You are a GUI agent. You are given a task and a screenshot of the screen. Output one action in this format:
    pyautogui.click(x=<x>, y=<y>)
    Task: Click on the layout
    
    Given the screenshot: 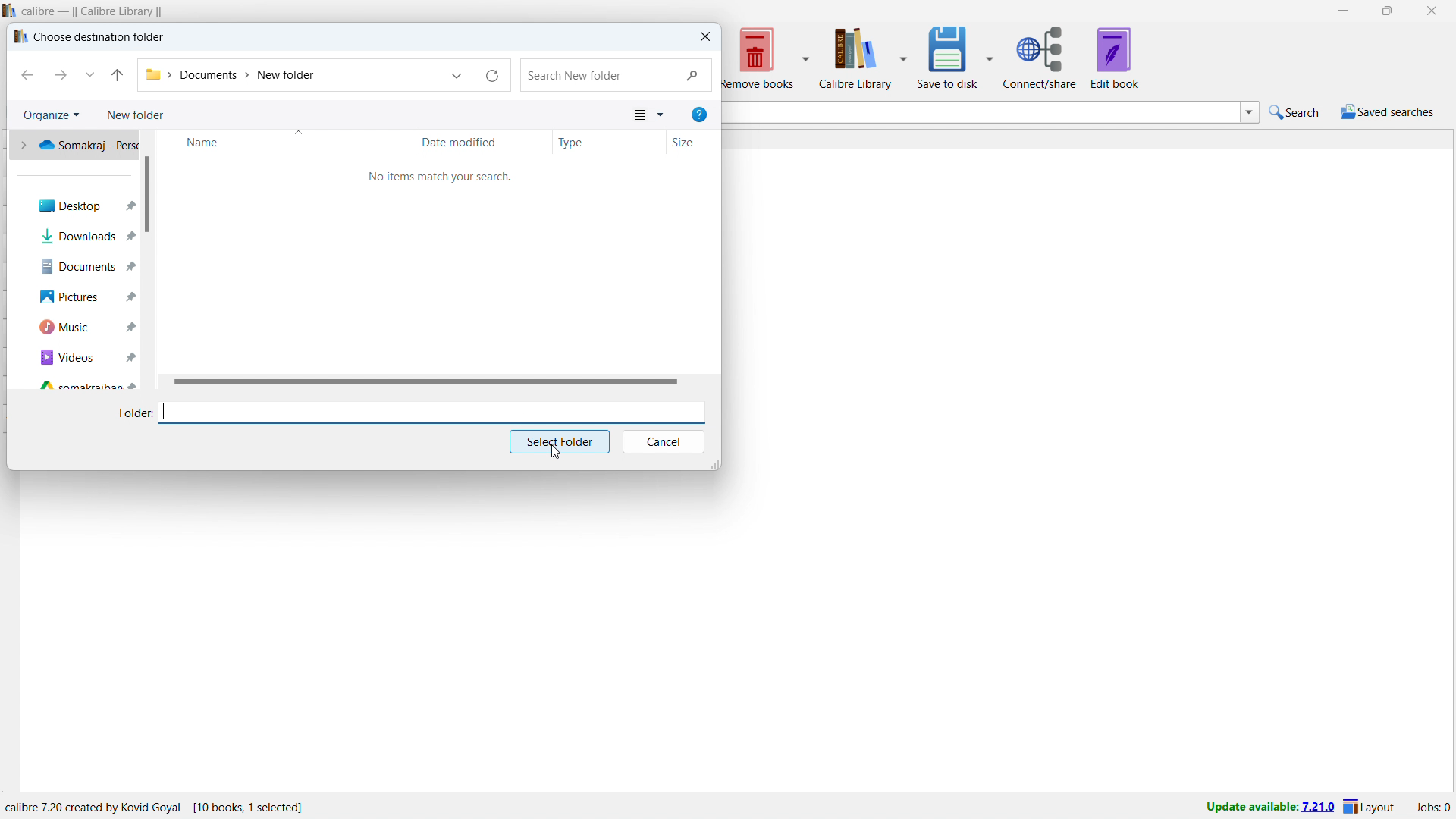 What is the action you would take?
    pyautogui.click(x=1371, y=806)
    